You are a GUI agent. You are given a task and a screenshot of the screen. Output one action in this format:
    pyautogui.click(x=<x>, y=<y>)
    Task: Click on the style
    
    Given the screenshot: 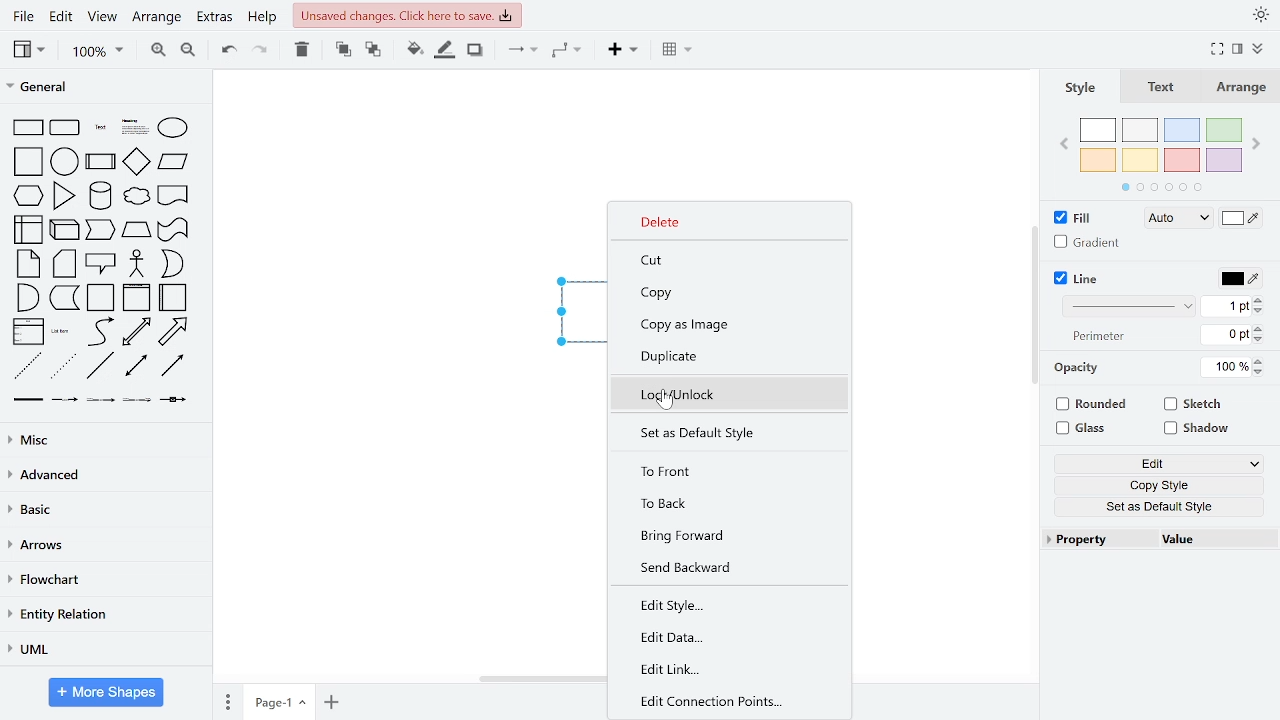 What is the action you would take?
    pyautogui.click(x=1081, y=90)
    